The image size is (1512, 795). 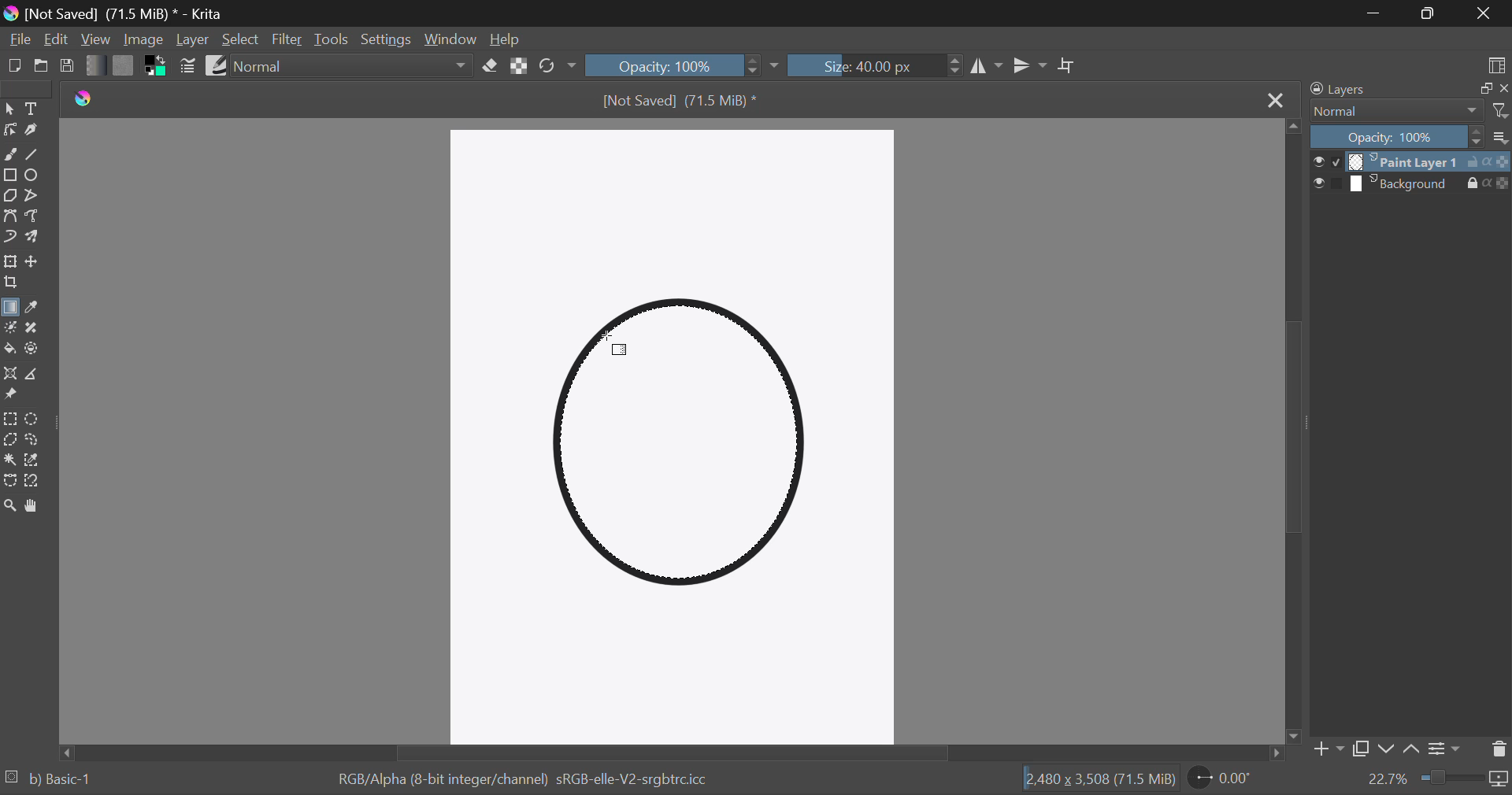 What do you see at coordinates (10, 483) in the screenshot?
I see `Bezier Curve Selection` at bounding box center [10, 483].